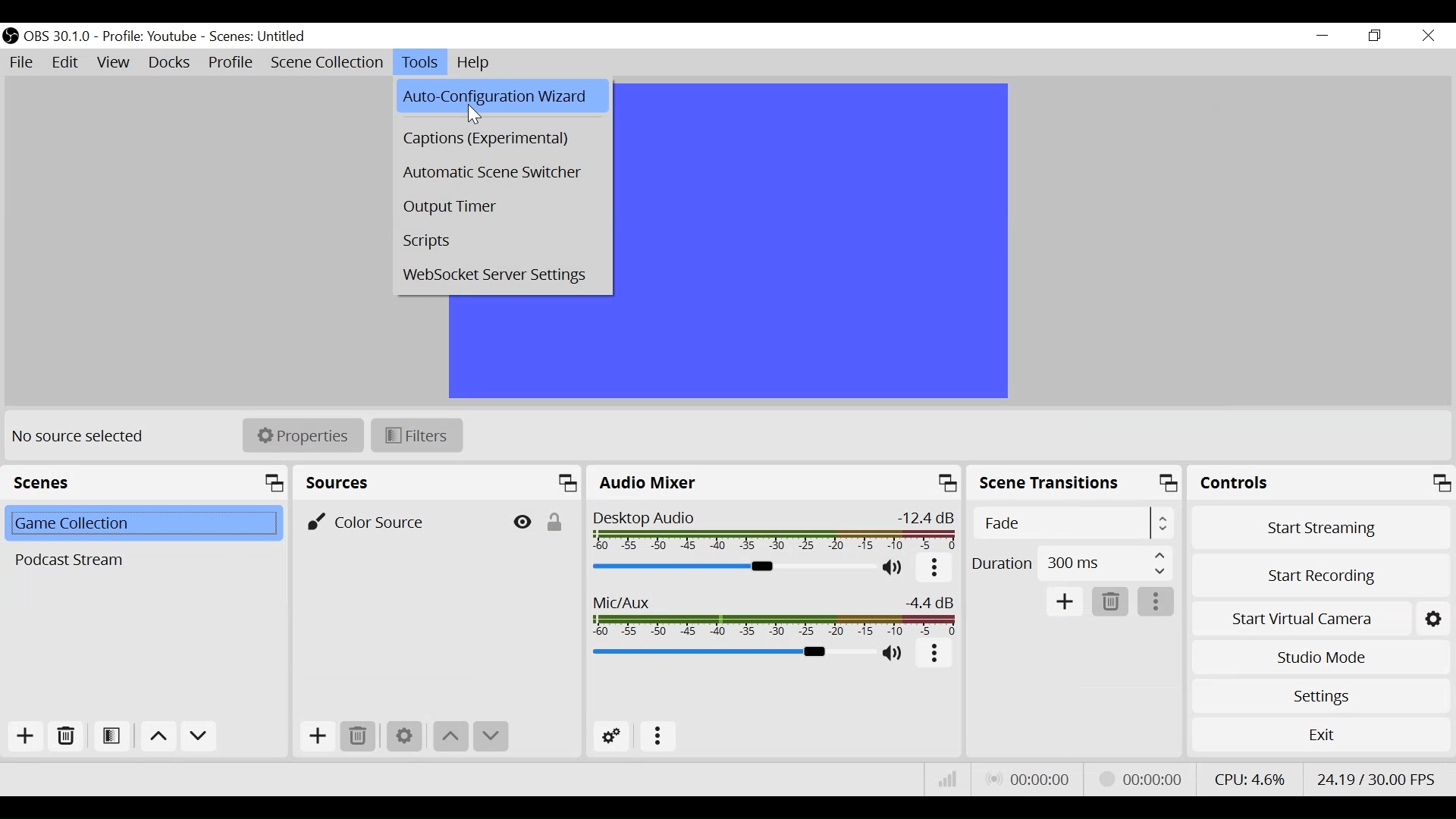  I want to click on (un)mute, so click(893, 569).